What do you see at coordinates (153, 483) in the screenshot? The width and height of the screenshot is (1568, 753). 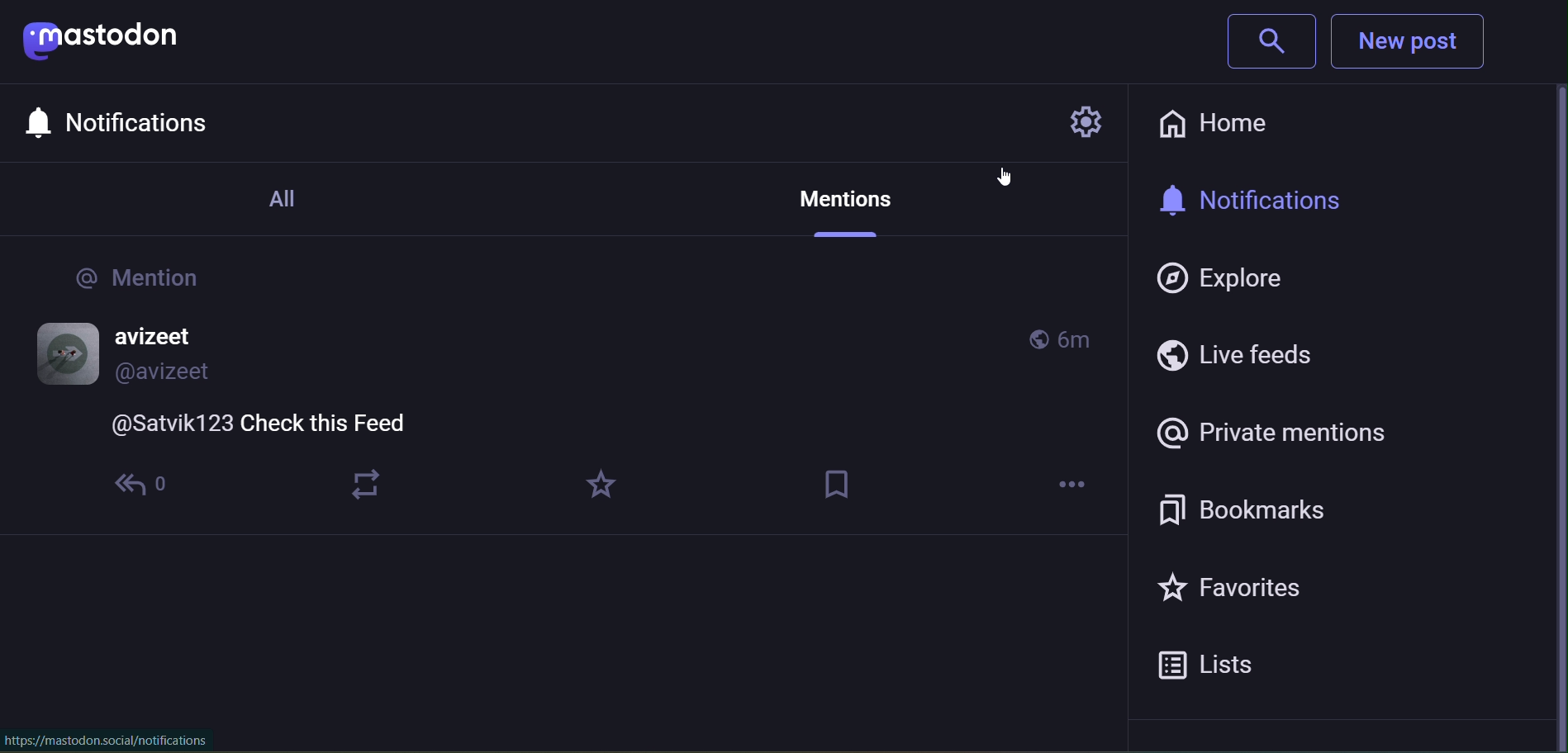 I see `replies` at bounding box center [153, 483].